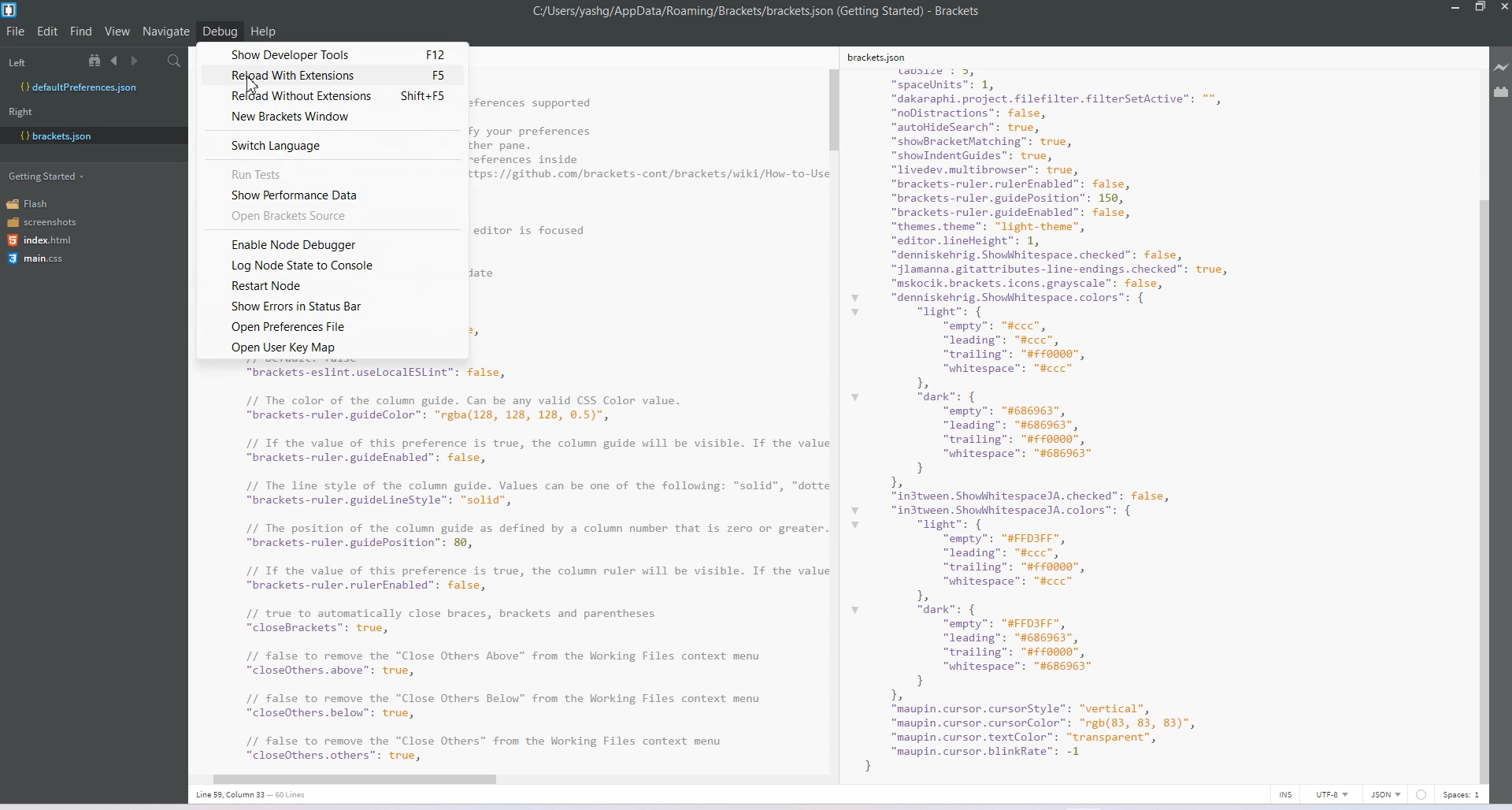 The width and height of the screenshot is (1512, 810). What do you see at coordinates (11, 10) in the screenshot?
I see `Logo` at bounding box center [11, 10].